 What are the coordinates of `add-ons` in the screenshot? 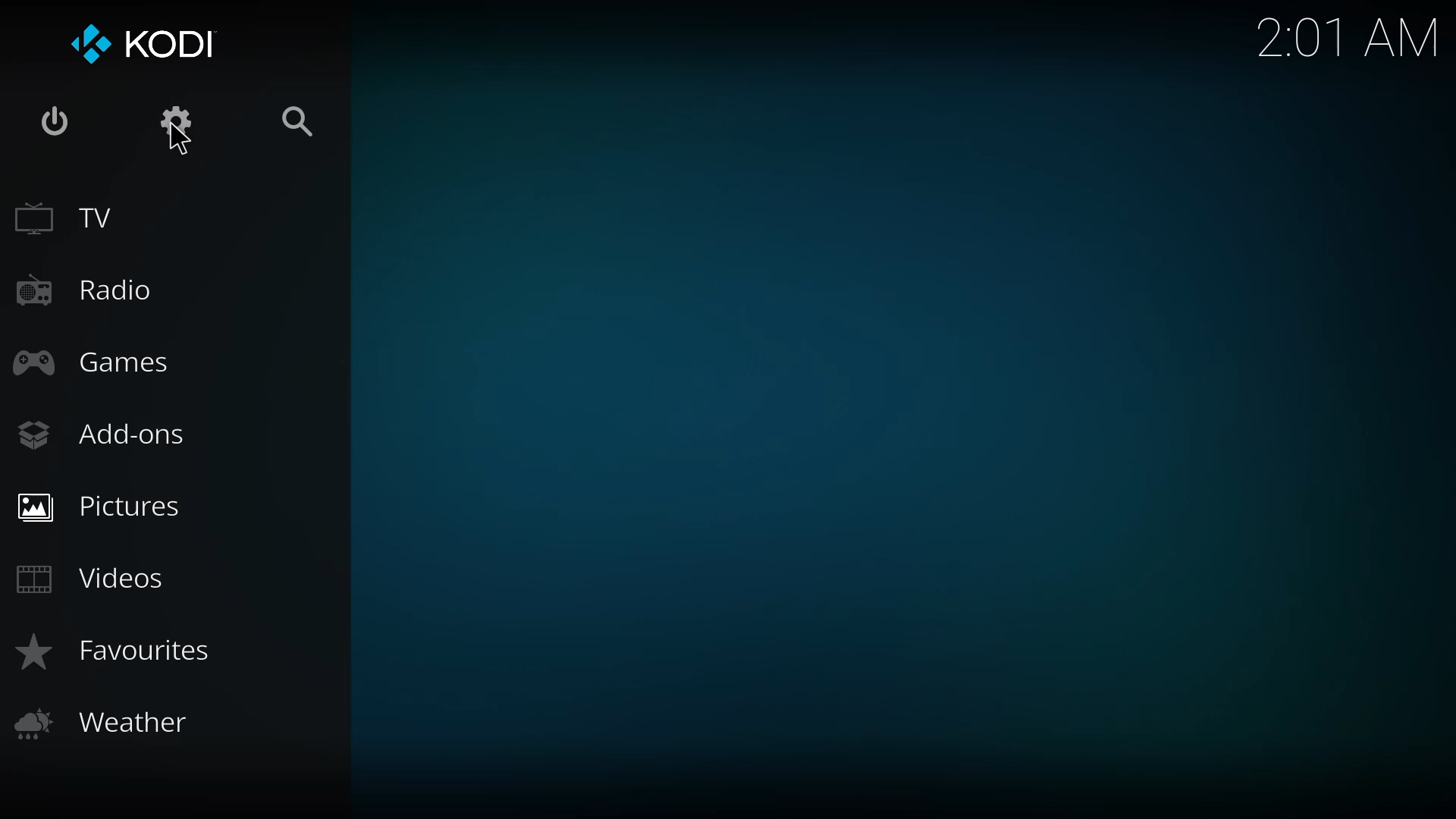 It's located at (109, 431).